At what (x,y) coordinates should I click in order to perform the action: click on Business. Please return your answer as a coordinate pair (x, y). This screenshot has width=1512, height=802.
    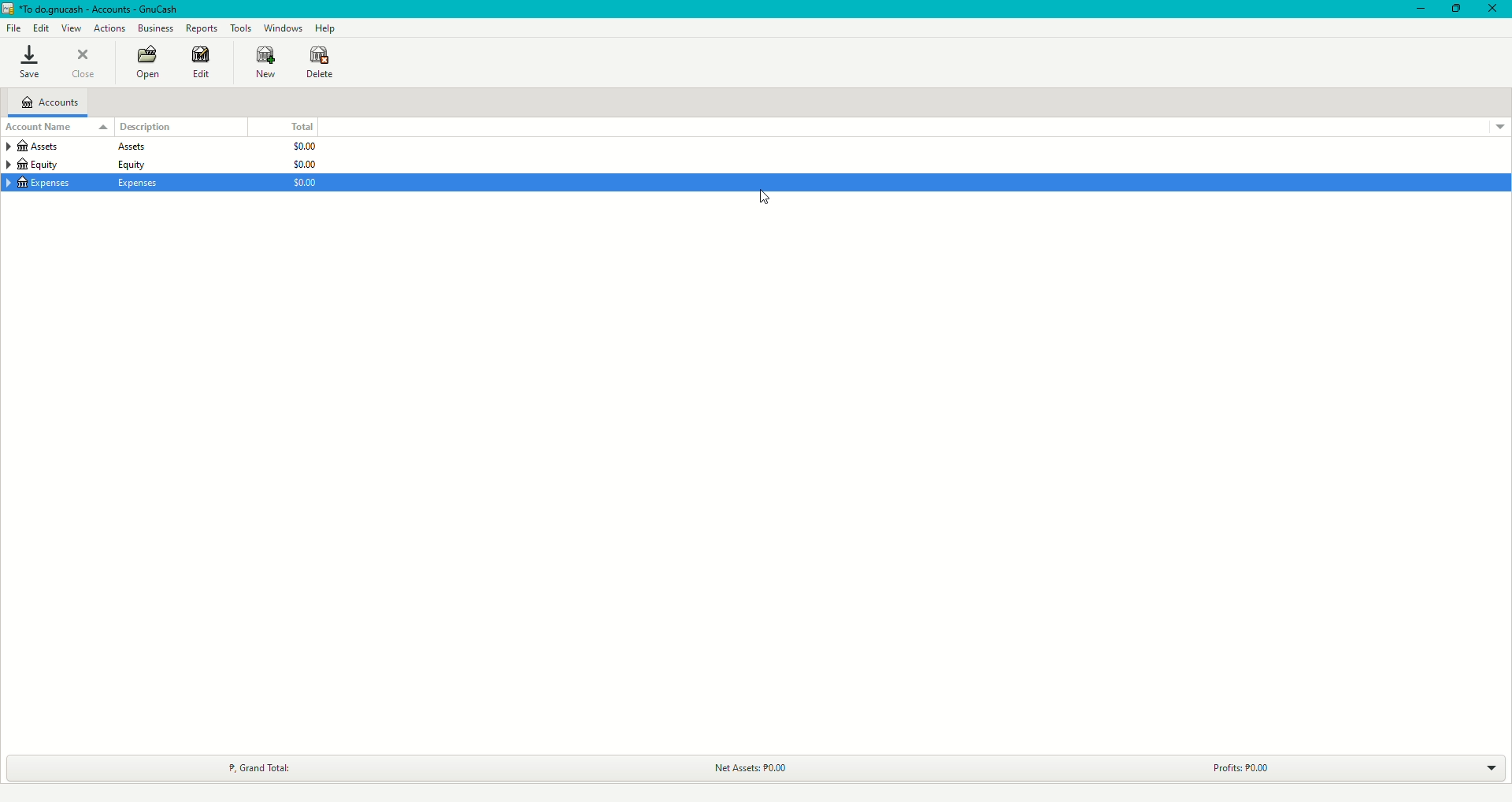
    Looking at the image, I should click on (155, 27).